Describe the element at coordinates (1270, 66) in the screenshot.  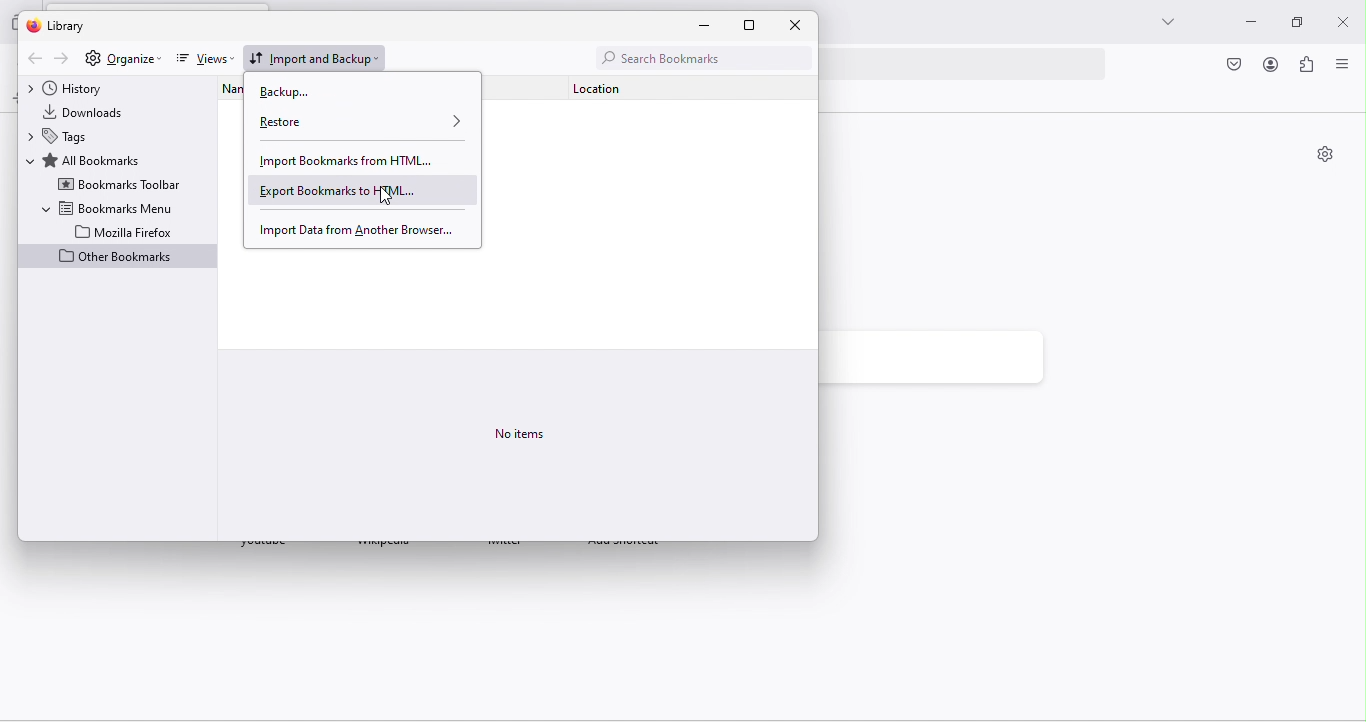
I see `account` at that location.